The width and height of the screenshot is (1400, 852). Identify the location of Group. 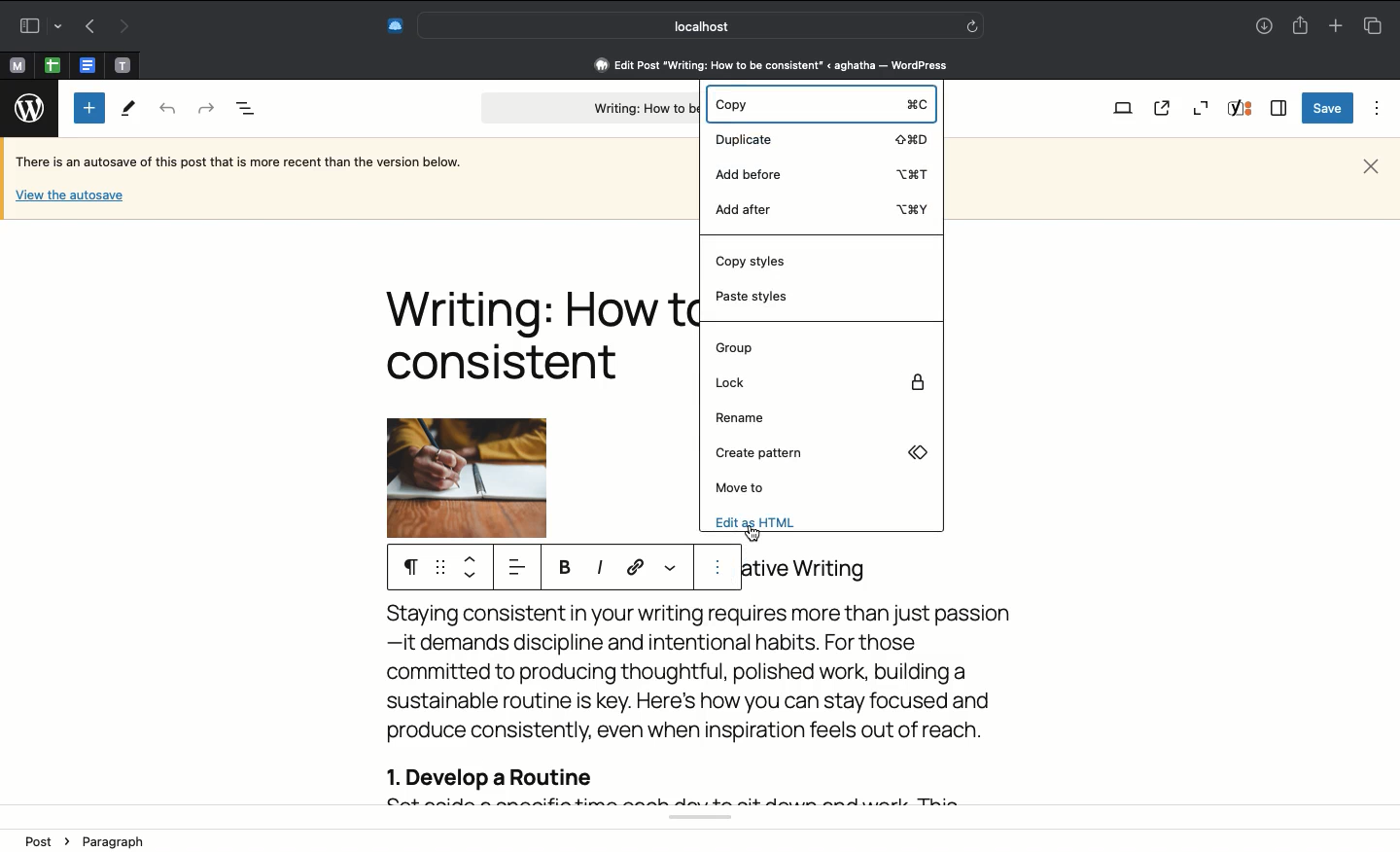
(733, 349).